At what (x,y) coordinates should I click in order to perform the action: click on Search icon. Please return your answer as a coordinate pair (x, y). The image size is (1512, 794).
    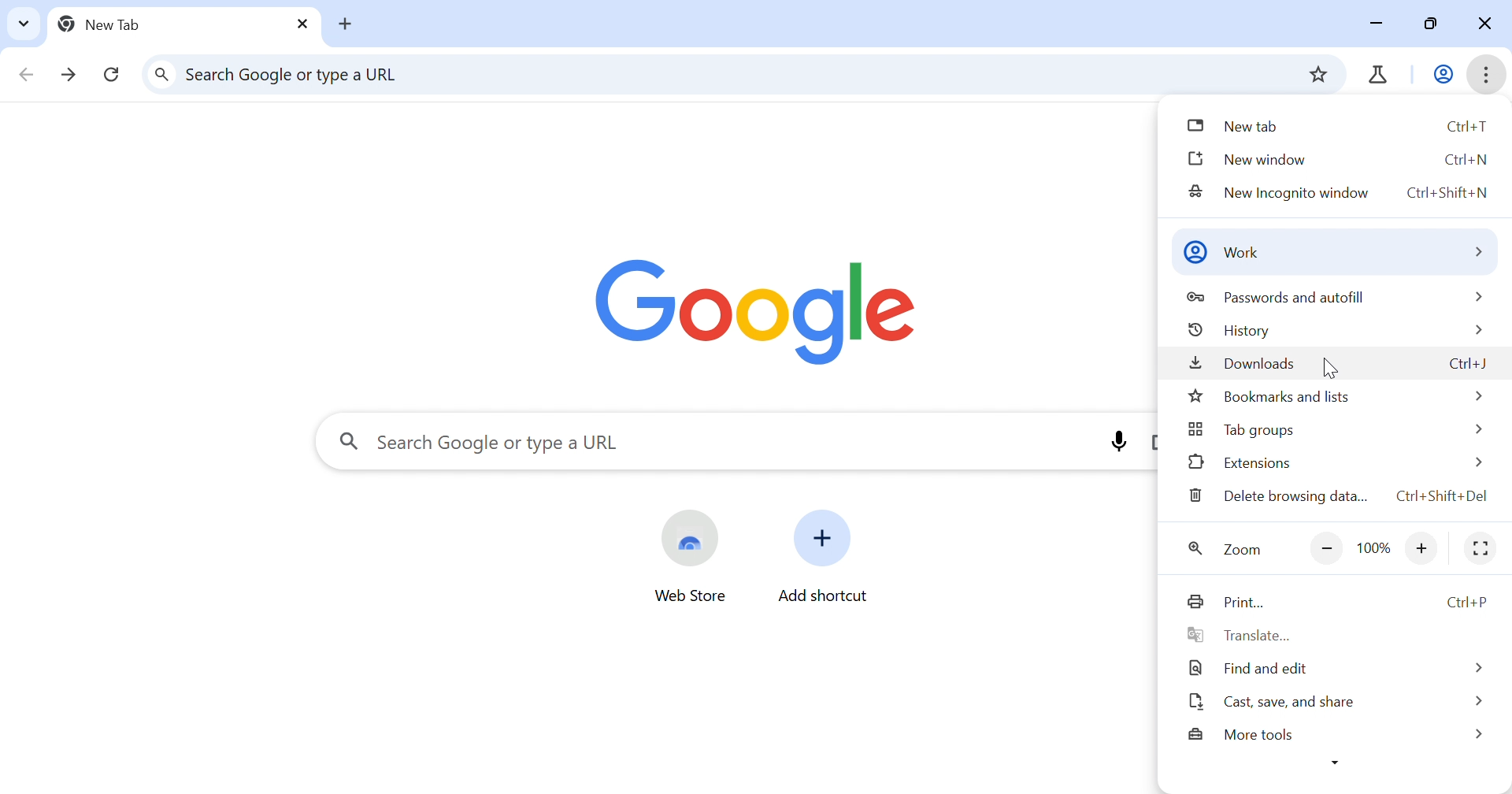
    Looking at the image, I should click on (349, 440).